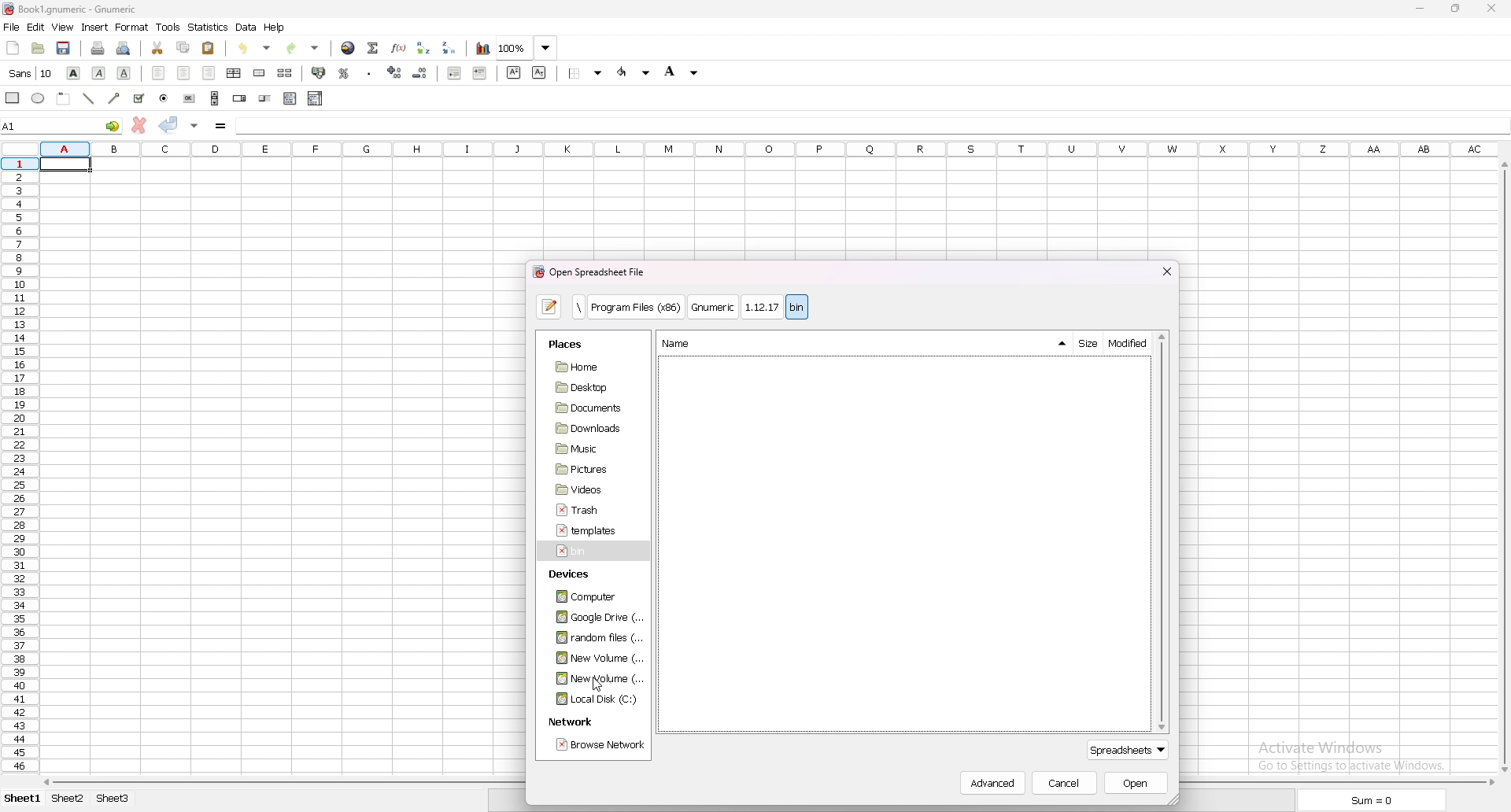 The image size is (1511, 812). What do you see at coordinates (126, 49) in the screenshot?
I see `print preview` at bounding box center [126, 49].